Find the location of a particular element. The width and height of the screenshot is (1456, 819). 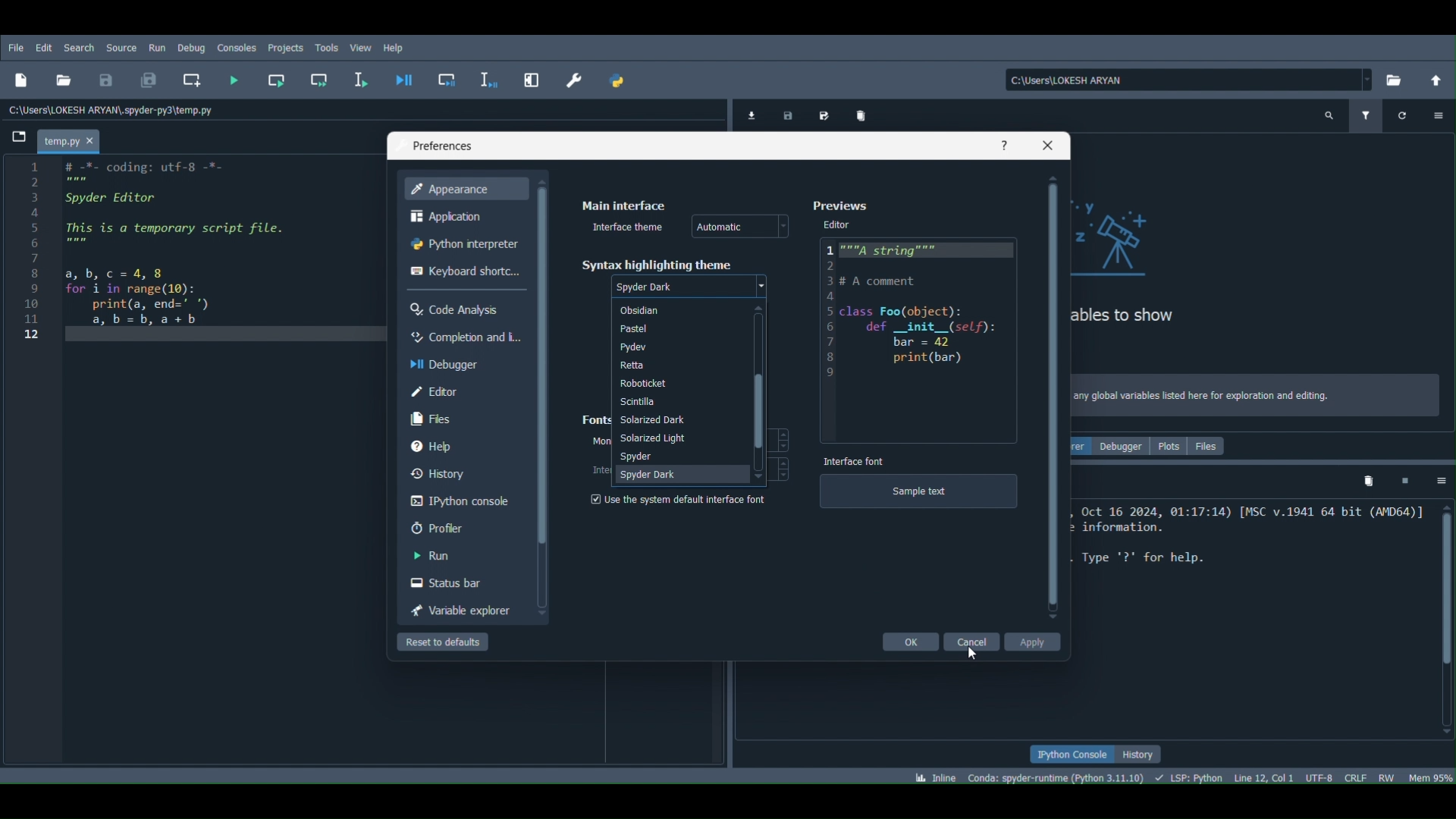

Run file (F5) is located at coordinates (236, 80).